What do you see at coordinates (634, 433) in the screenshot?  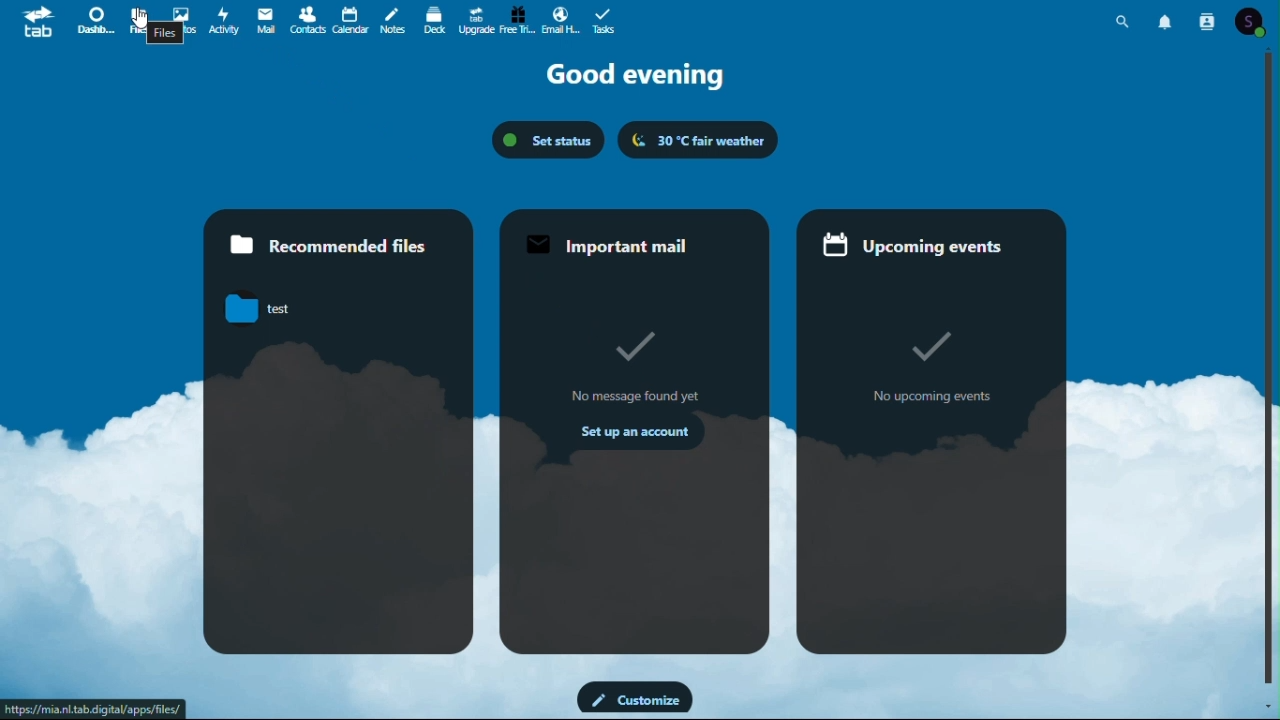 I see `important mail` at bounding box center [634, 433].